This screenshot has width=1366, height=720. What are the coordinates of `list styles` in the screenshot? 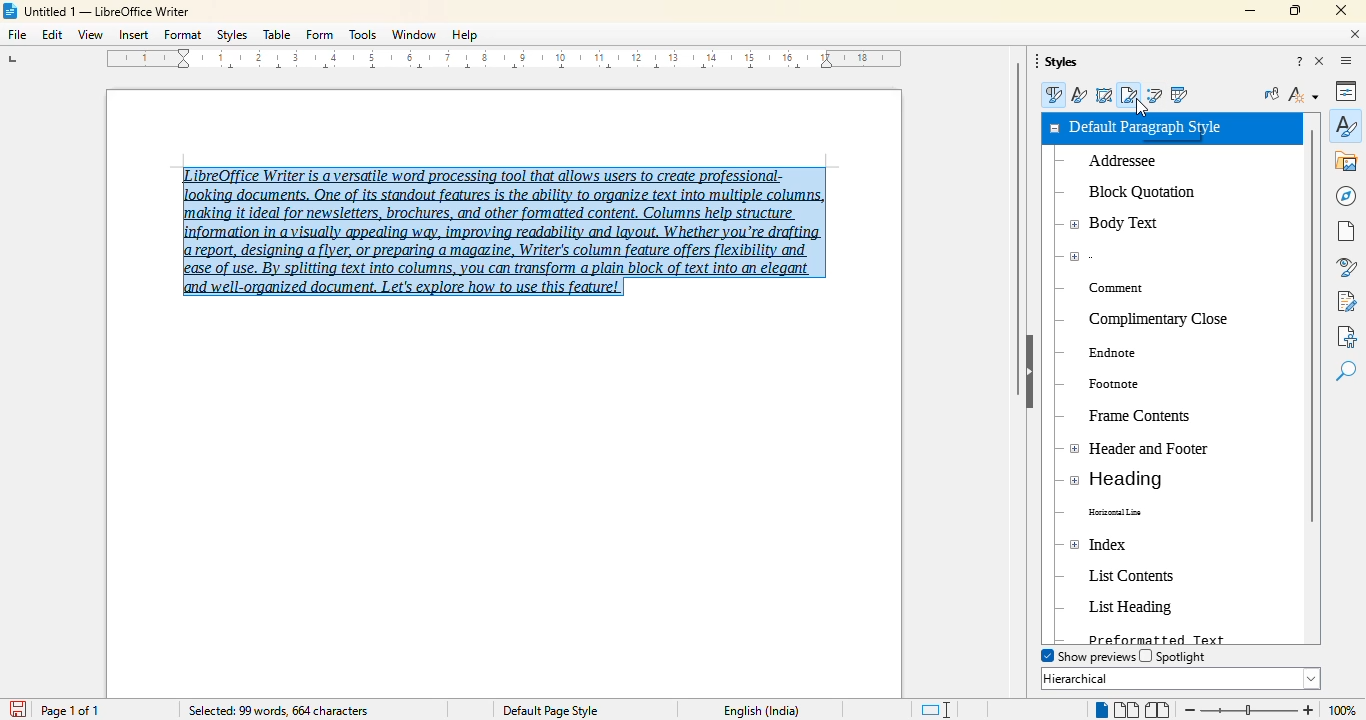 It's located at (1155, 94).